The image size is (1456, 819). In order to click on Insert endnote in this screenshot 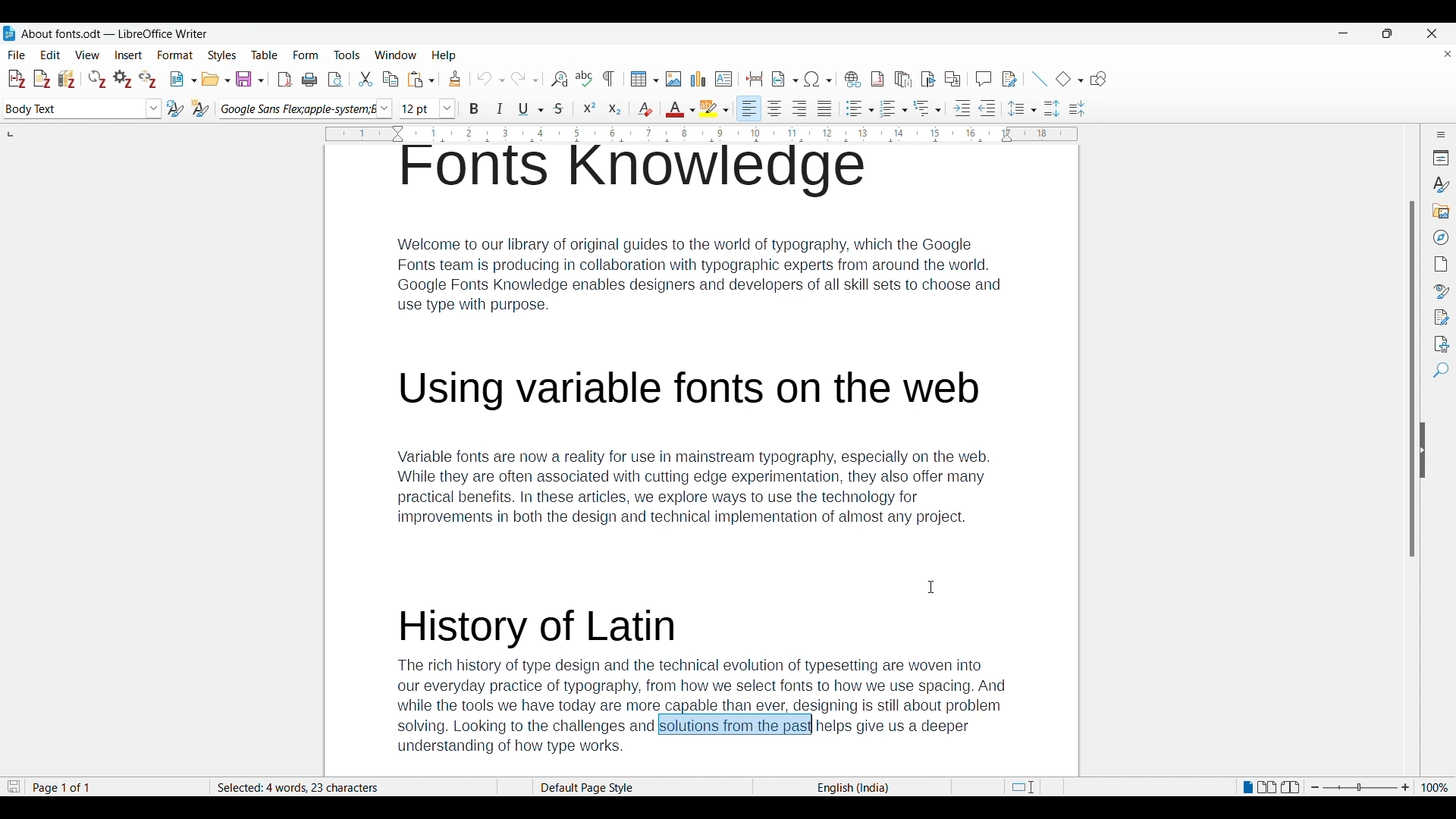, I will do `click(904, 79)`.